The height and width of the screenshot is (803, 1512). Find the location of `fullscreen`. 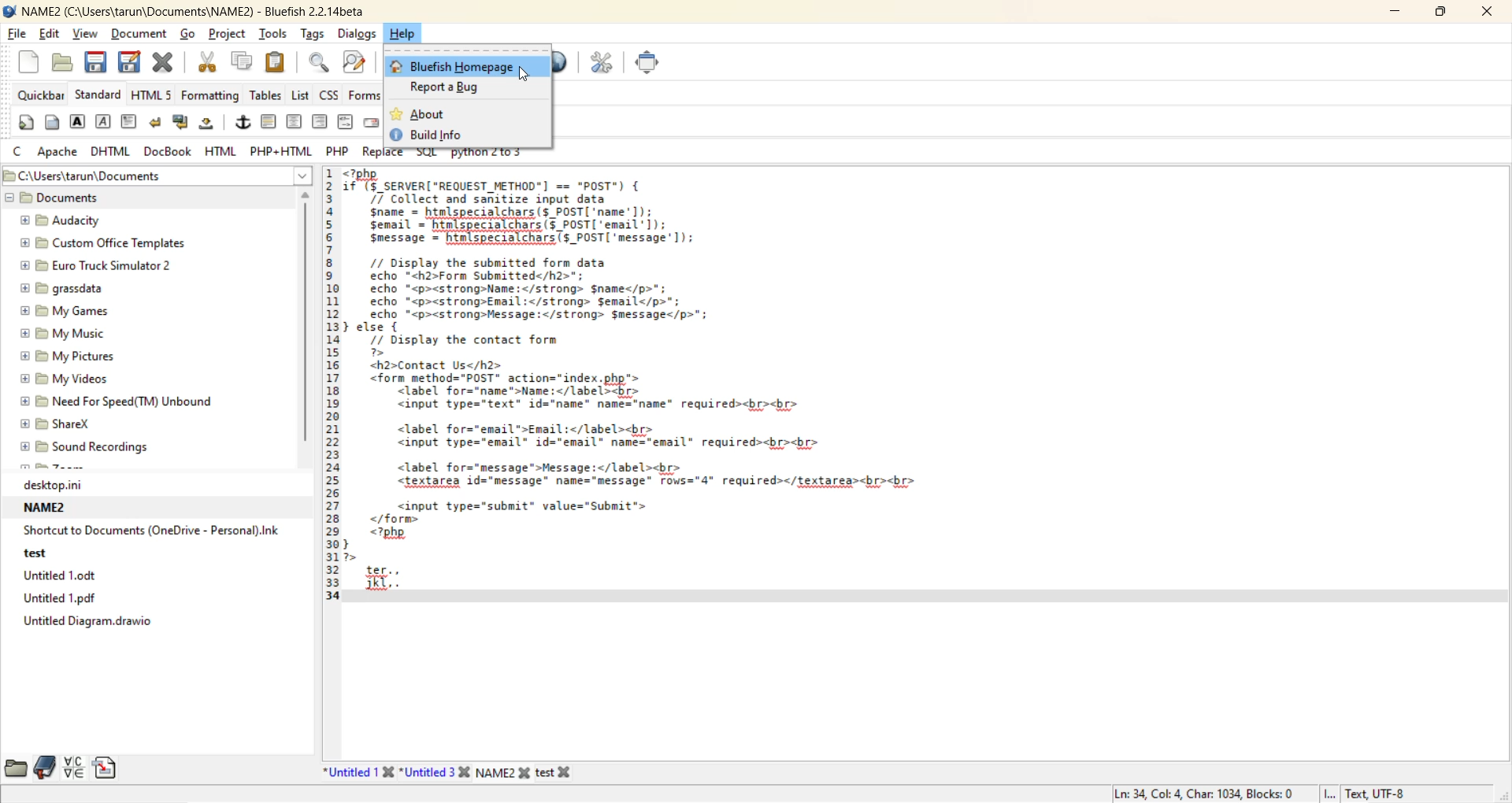

fullscreen is located at coordinates (650, 65).